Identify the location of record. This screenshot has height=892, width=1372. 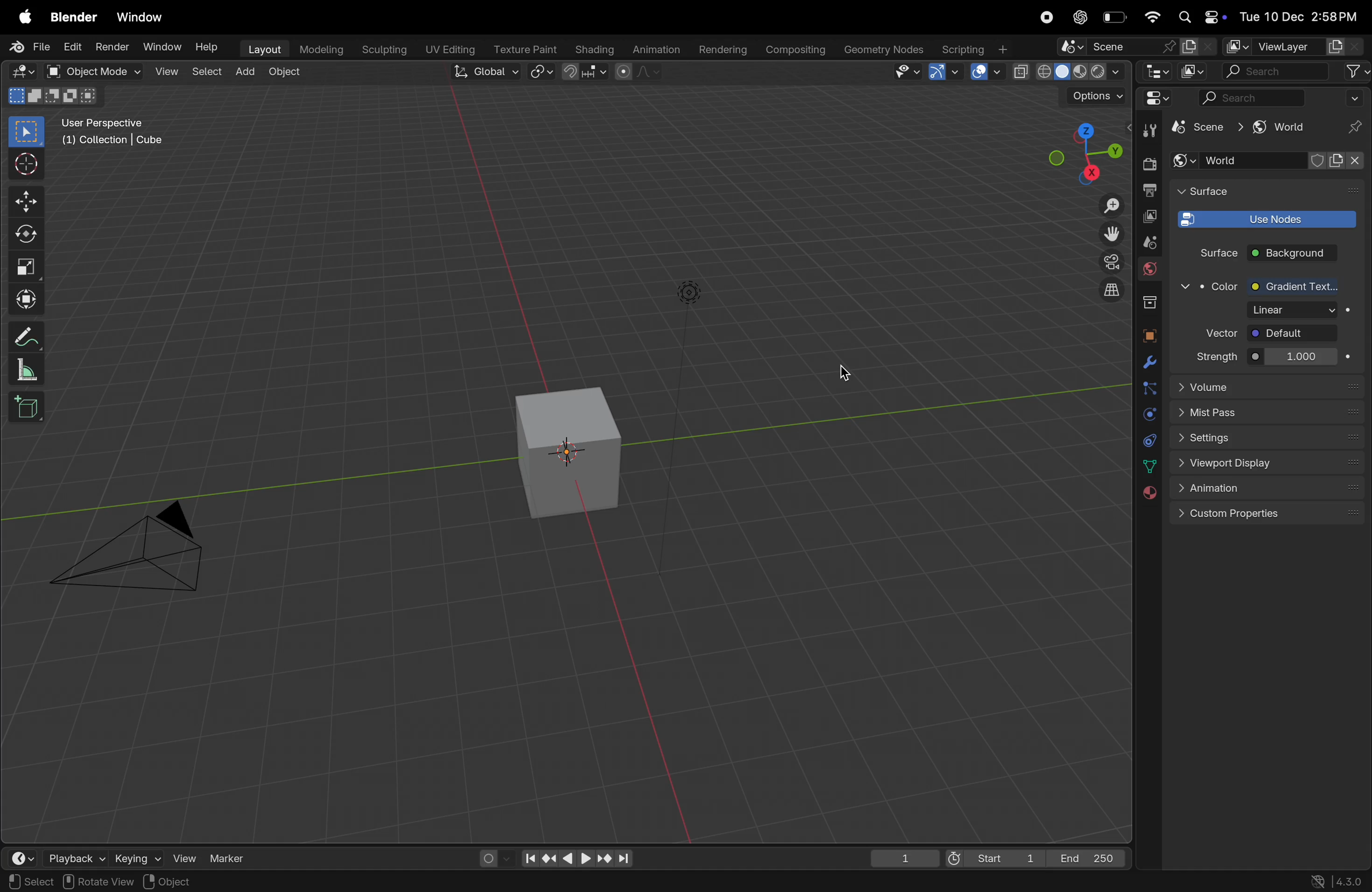
(1046, 17).